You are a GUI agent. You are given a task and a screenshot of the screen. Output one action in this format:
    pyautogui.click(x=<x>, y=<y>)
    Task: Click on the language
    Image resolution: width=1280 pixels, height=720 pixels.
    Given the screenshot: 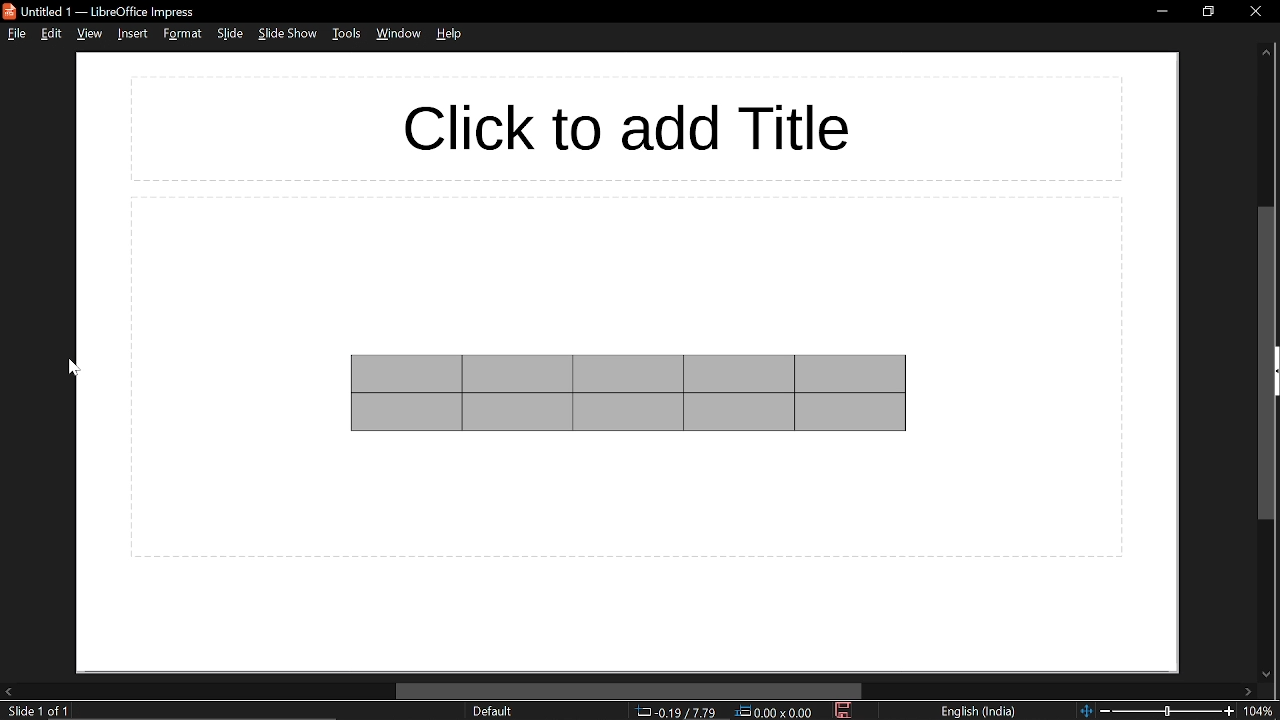 What is the action you would take?
    pyautogui.click(x=974, y=710)
    